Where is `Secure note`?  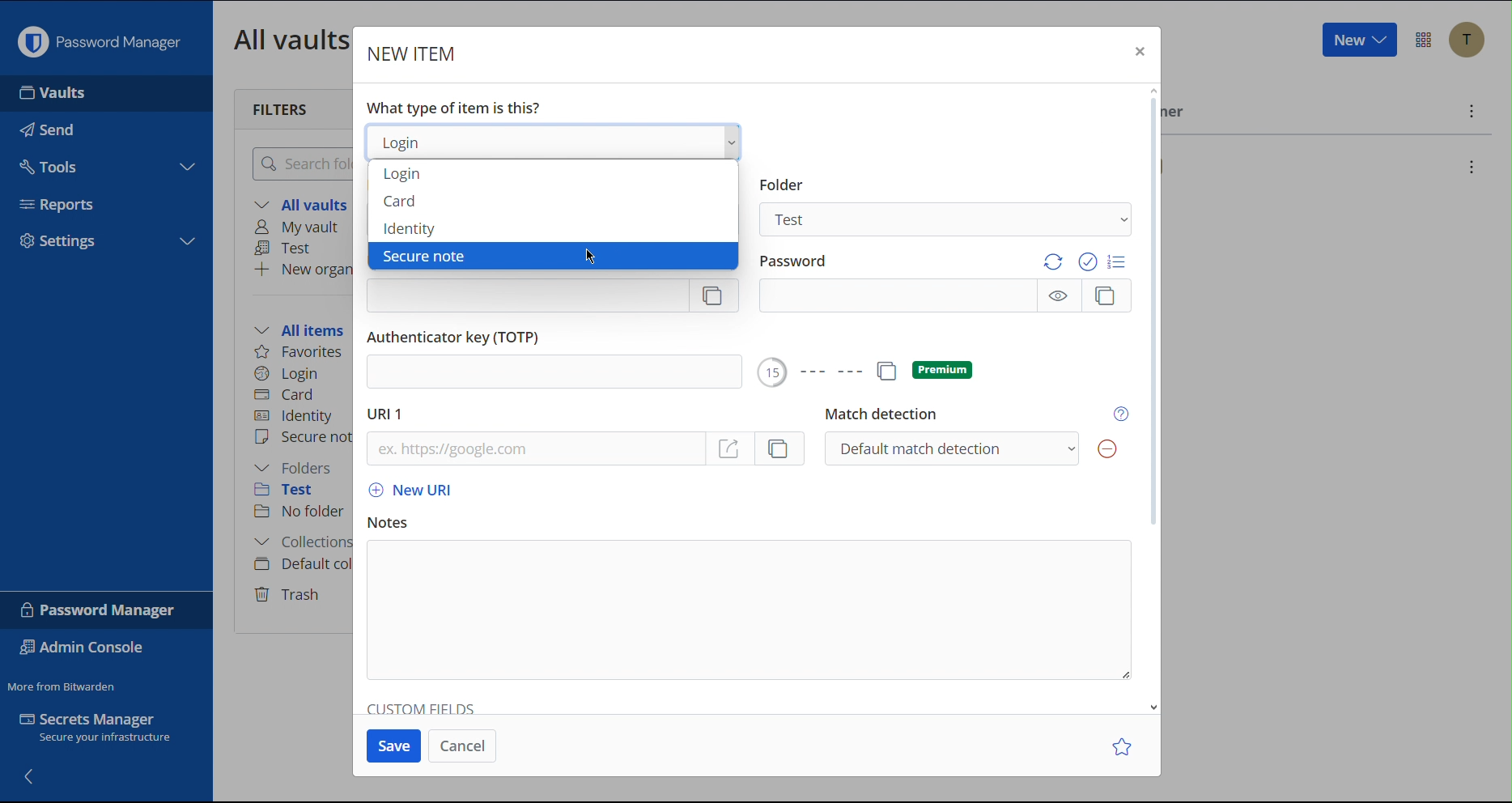 Secure note is located at coordinates (423, 256).